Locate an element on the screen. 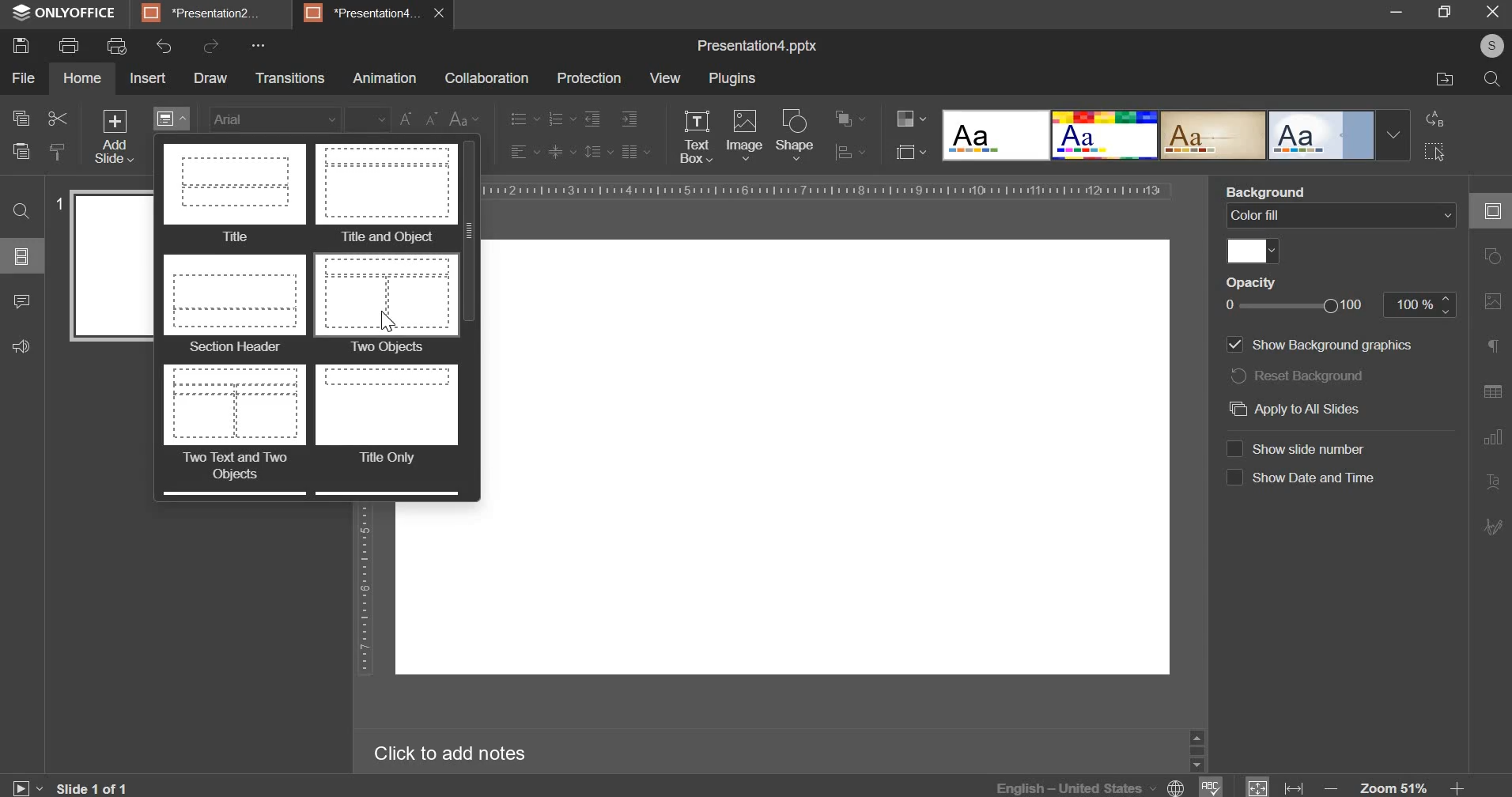 The image size is (1512, 797). work space is located at coordinates (830, 456).